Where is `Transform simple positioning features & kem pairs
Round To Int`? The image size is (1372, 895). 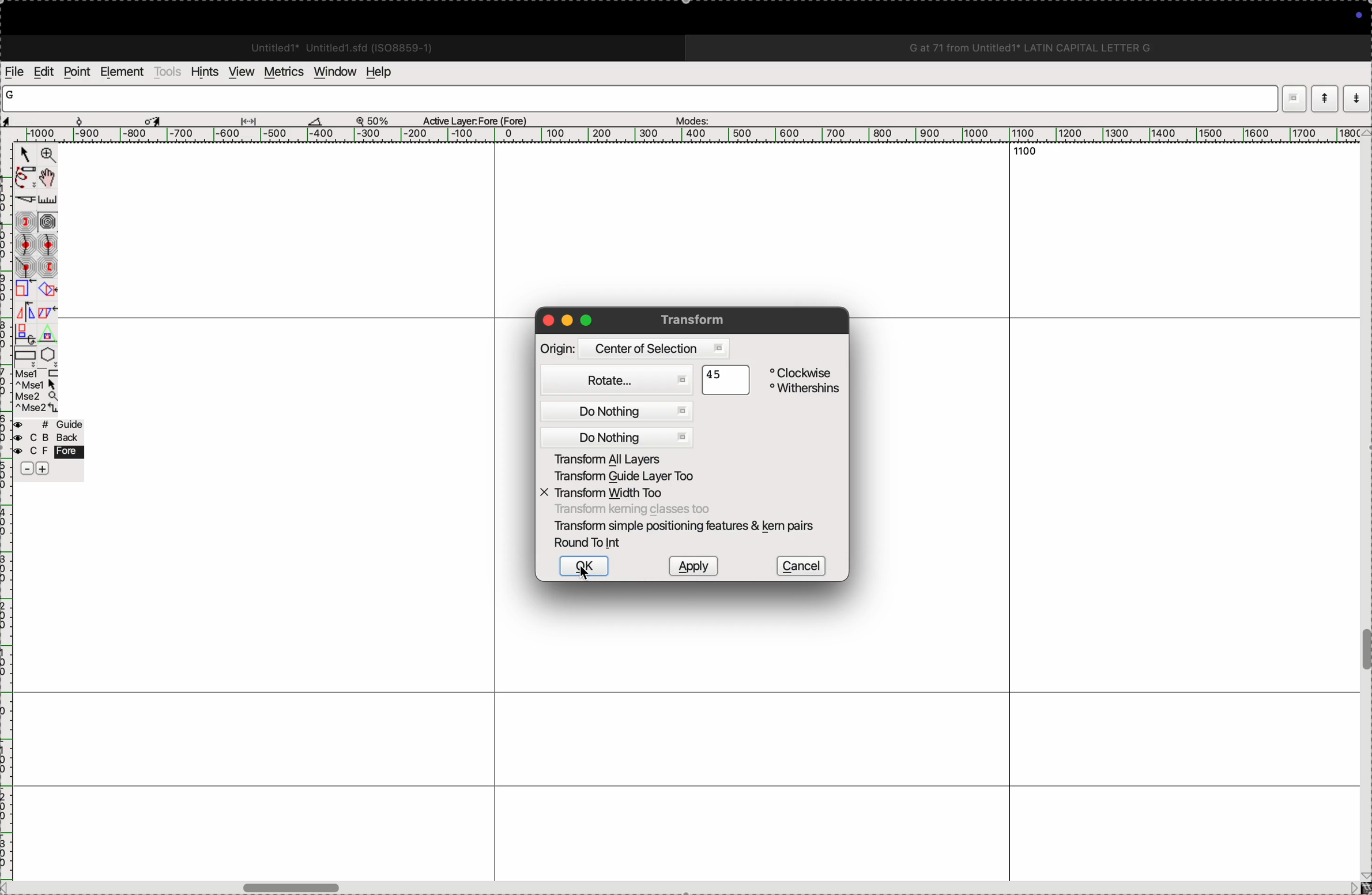
Transform simple positioning features & kem pairs
Round To Int is located at coordinates (688, 535).